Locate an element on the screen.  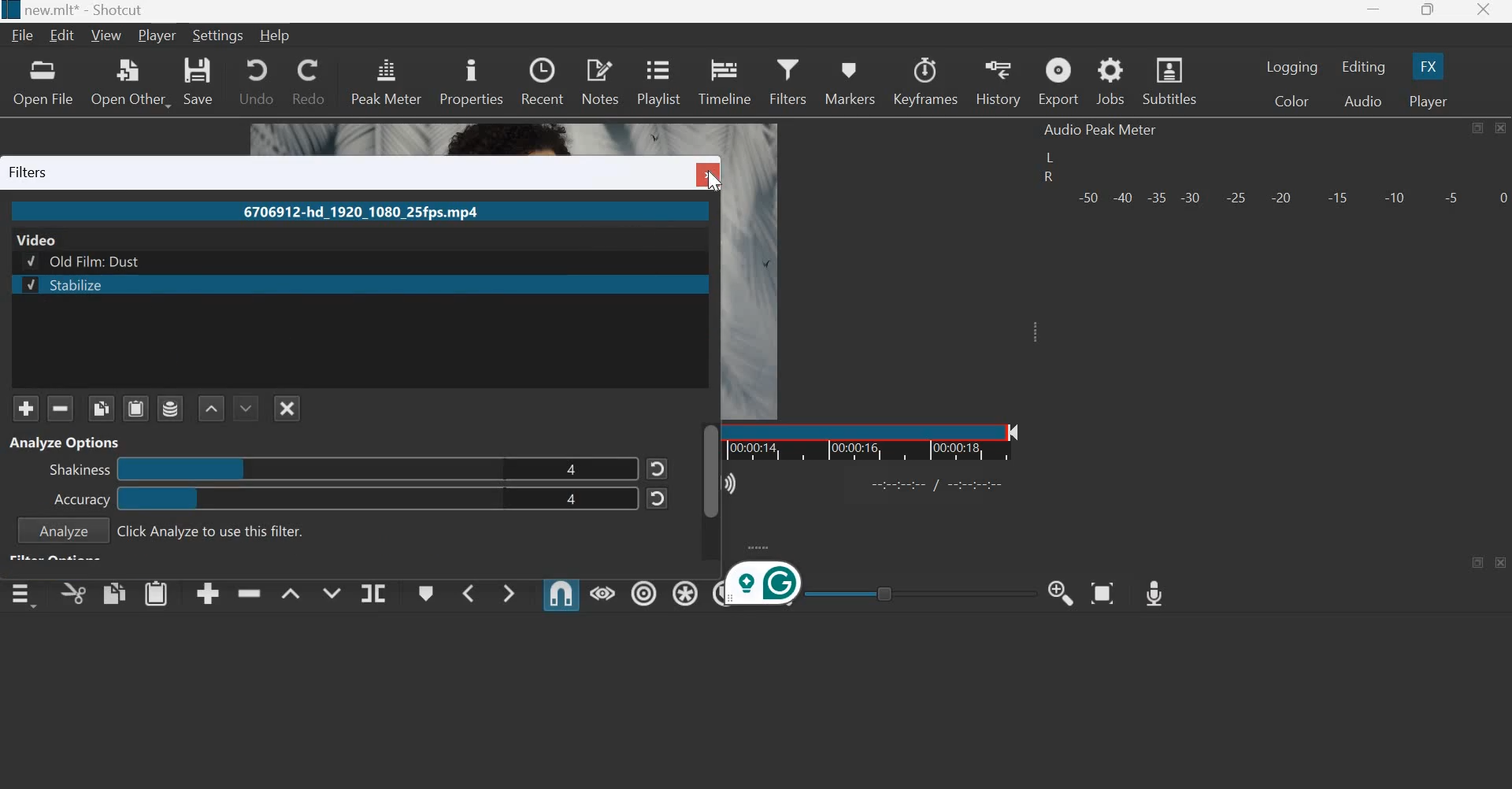
Show the volume control is located at coordinates (722, 484).